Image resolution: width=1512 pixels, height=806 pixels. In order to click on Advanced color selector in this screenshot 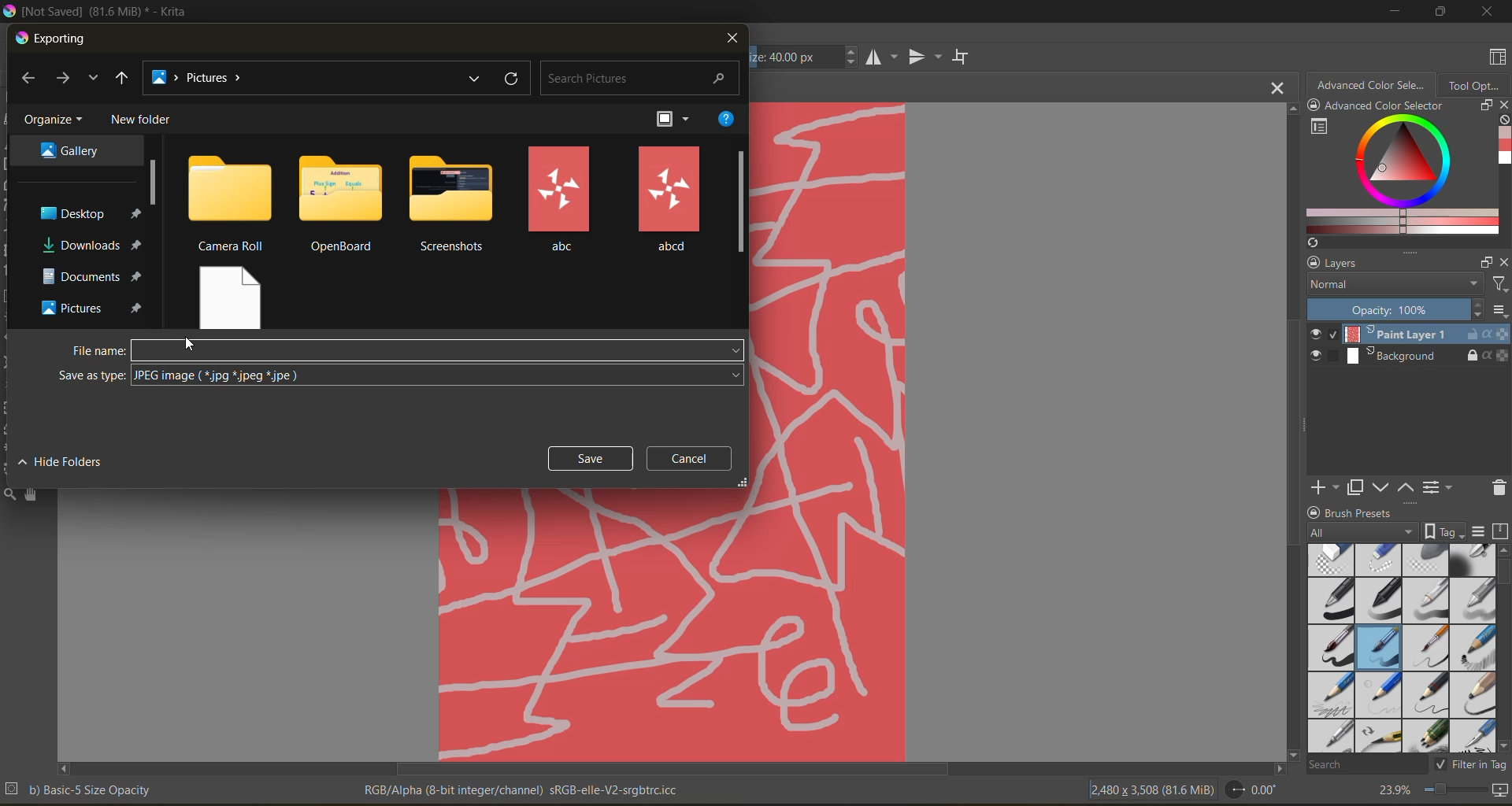, I will do `click(1503, 148)`.